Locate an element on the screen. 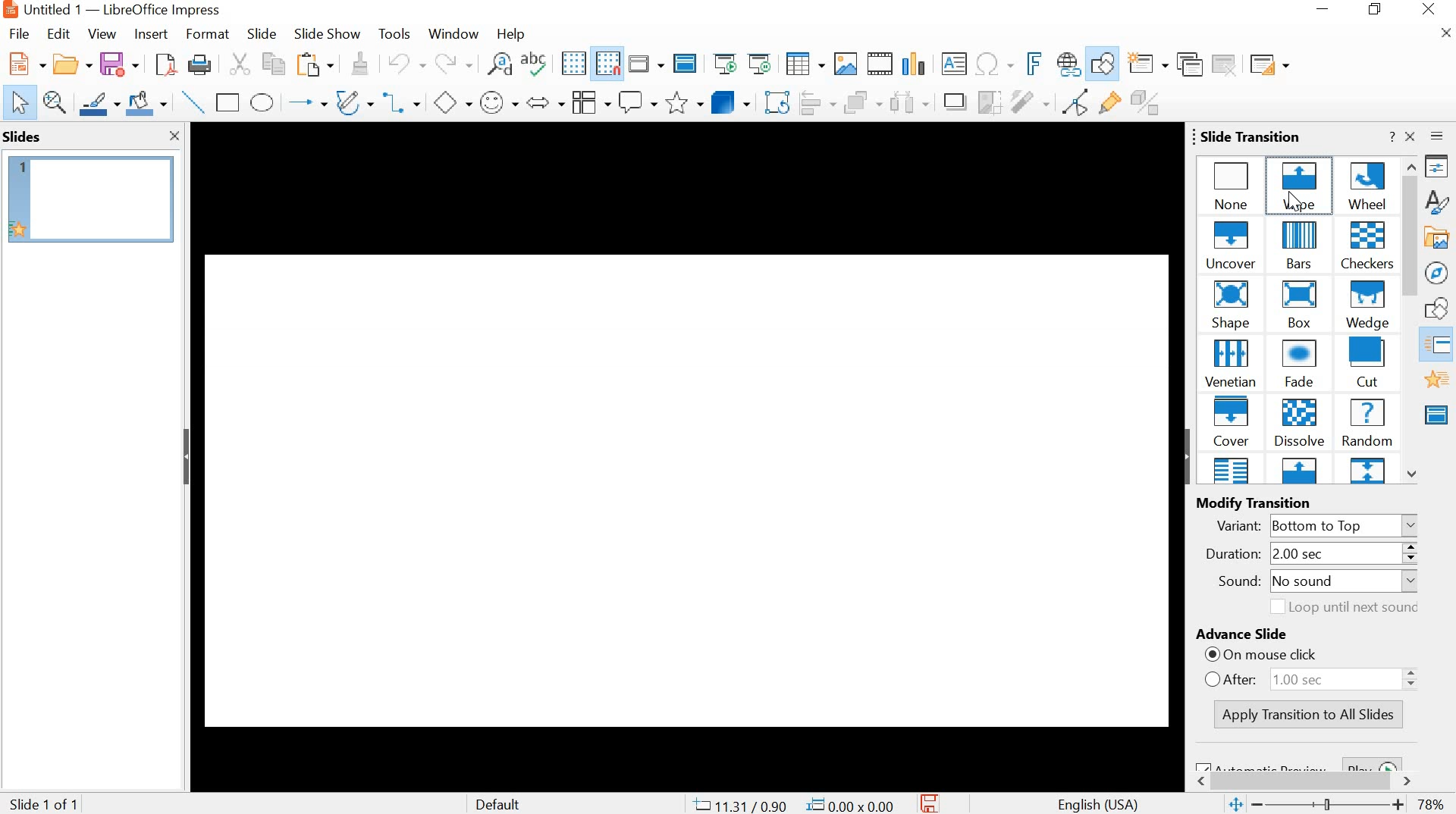 The height and width of the screenshot is (814, 1456). PROPERTIES is located at coordinates (1438, 167).